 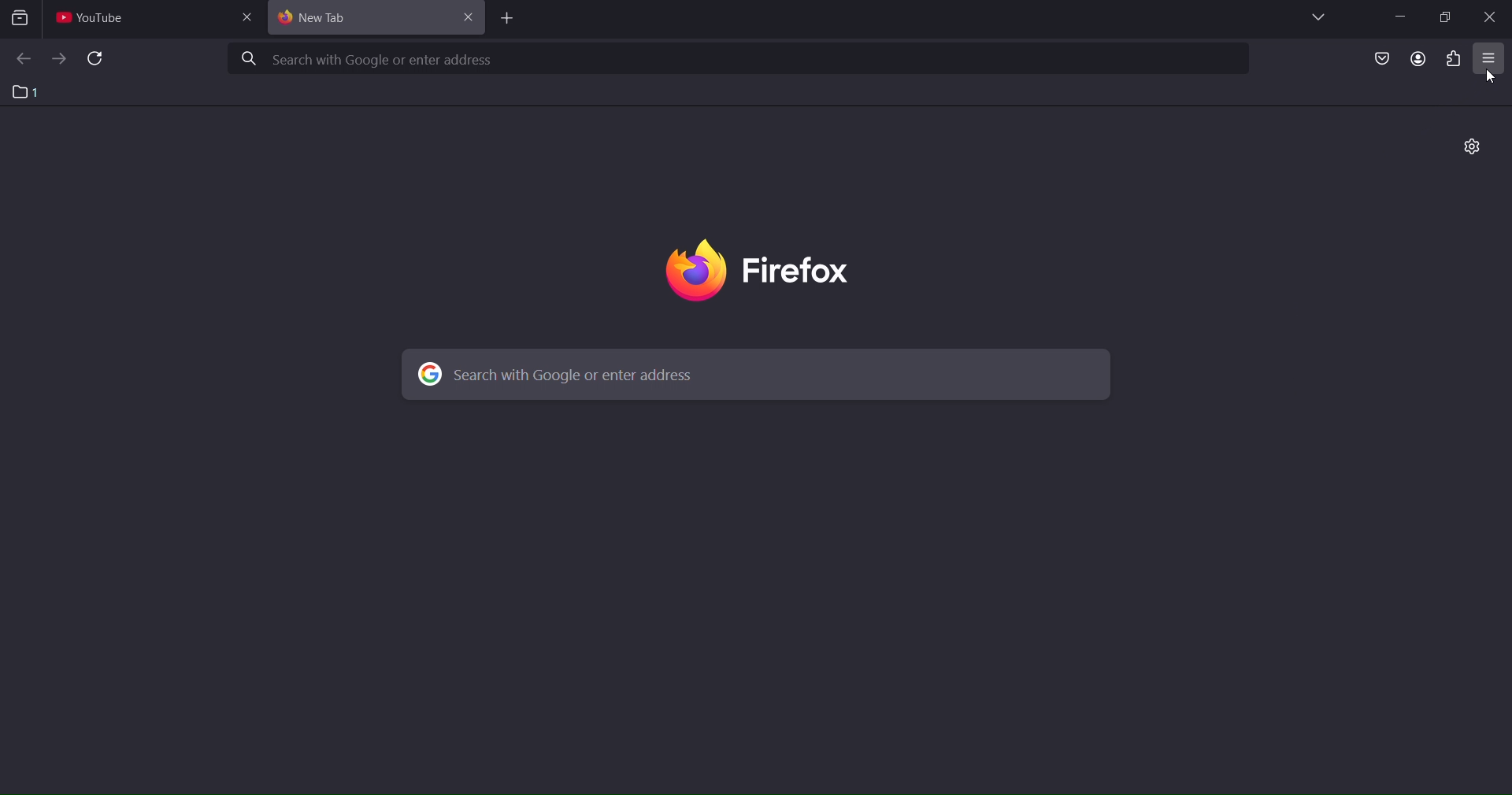 I want to click on extensions, so click(x=1456, y=59).